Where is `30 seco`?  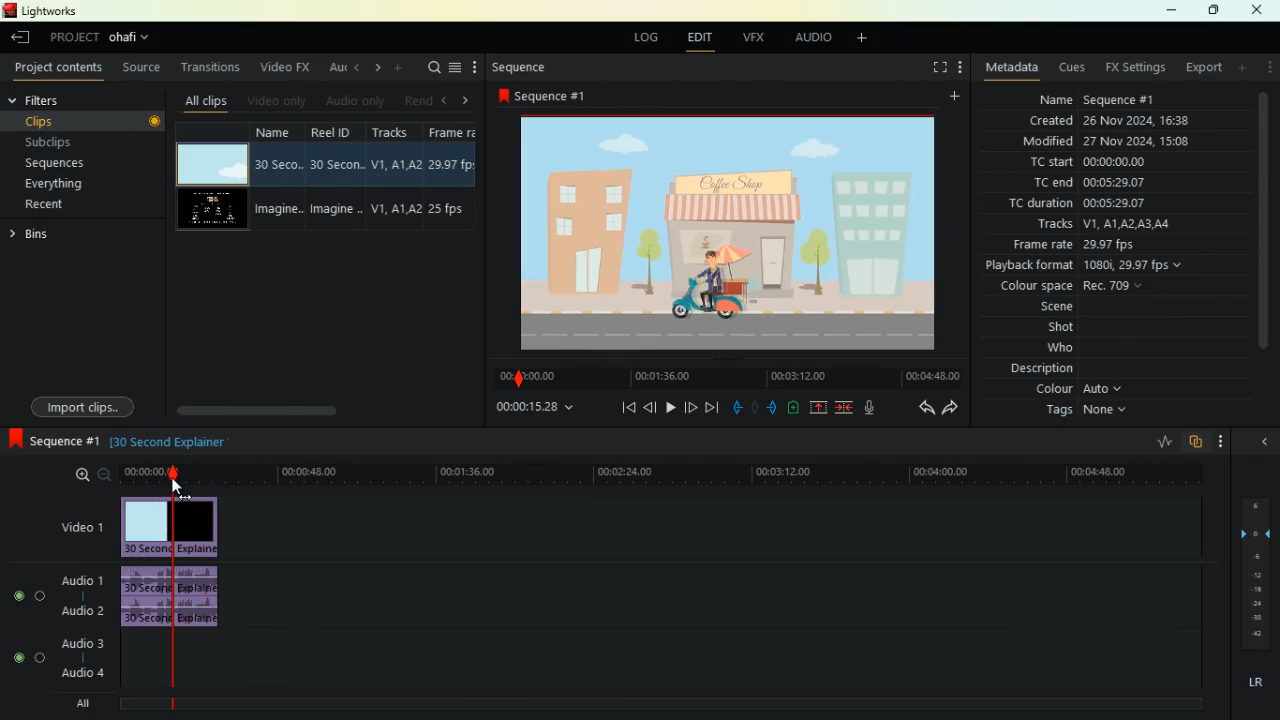
30 seco is located at coordinates (336, 165).